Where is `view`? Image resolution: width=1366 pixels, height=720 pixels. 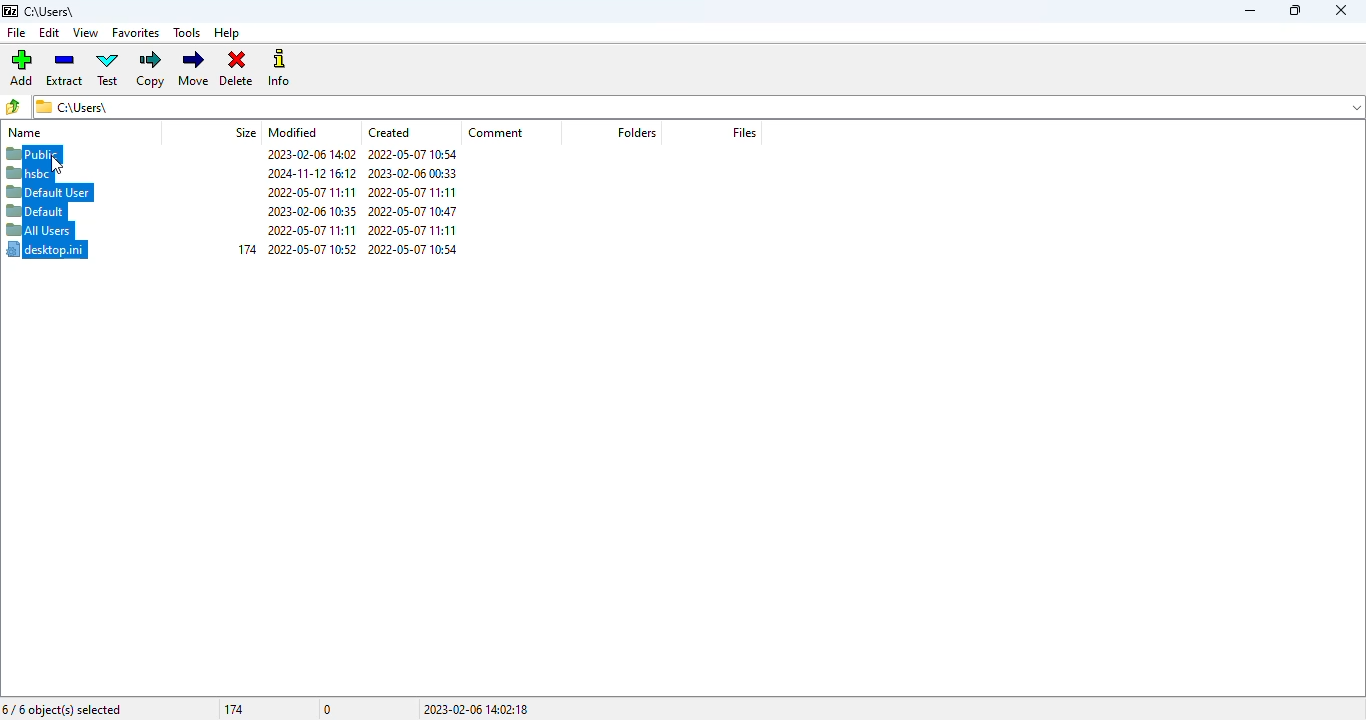 view is located at coordinates (85, 33).